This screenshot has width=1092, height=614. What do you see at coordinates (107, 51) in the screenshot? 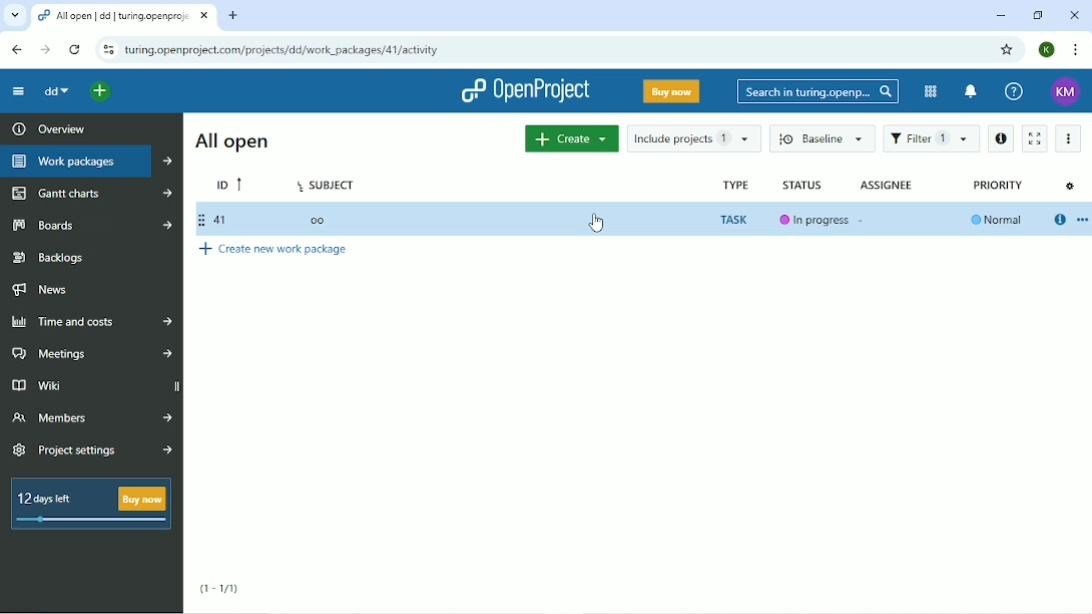
I see `View site information` at bounding box center [107, 51].